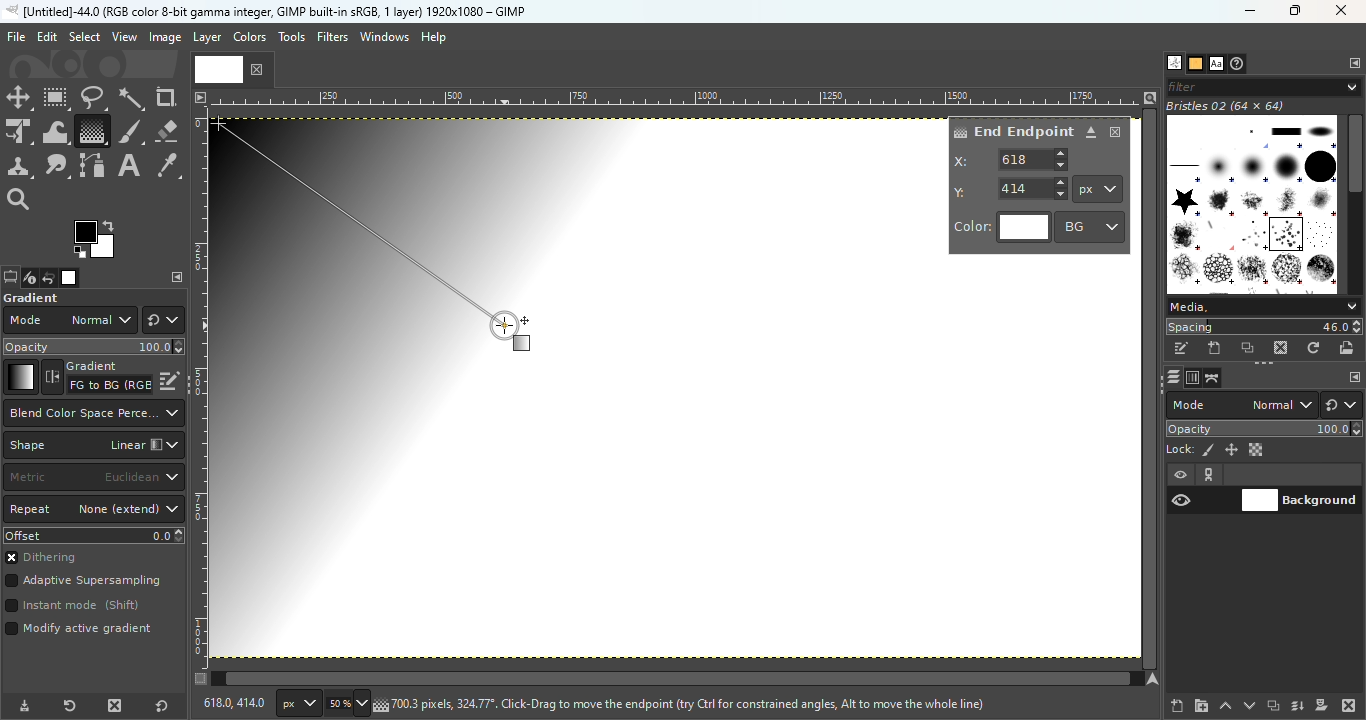 Image resolution: width=1366 pixels, height=720 pixels. Describe the element at coordinates (93, 478) in the screenshot. I see `Matric to the use for the distance calculation` at that location.